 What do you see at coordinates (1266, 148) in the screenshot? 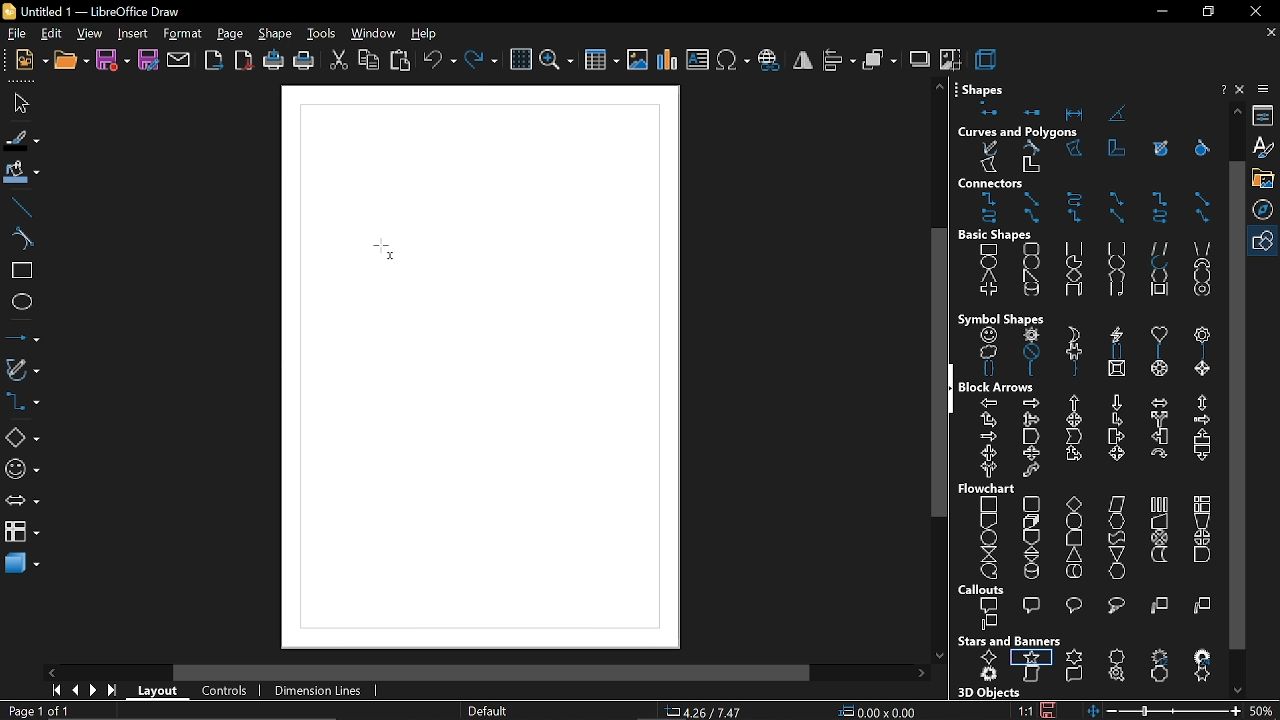
I see `styles` at bounding box center [1266, 148].